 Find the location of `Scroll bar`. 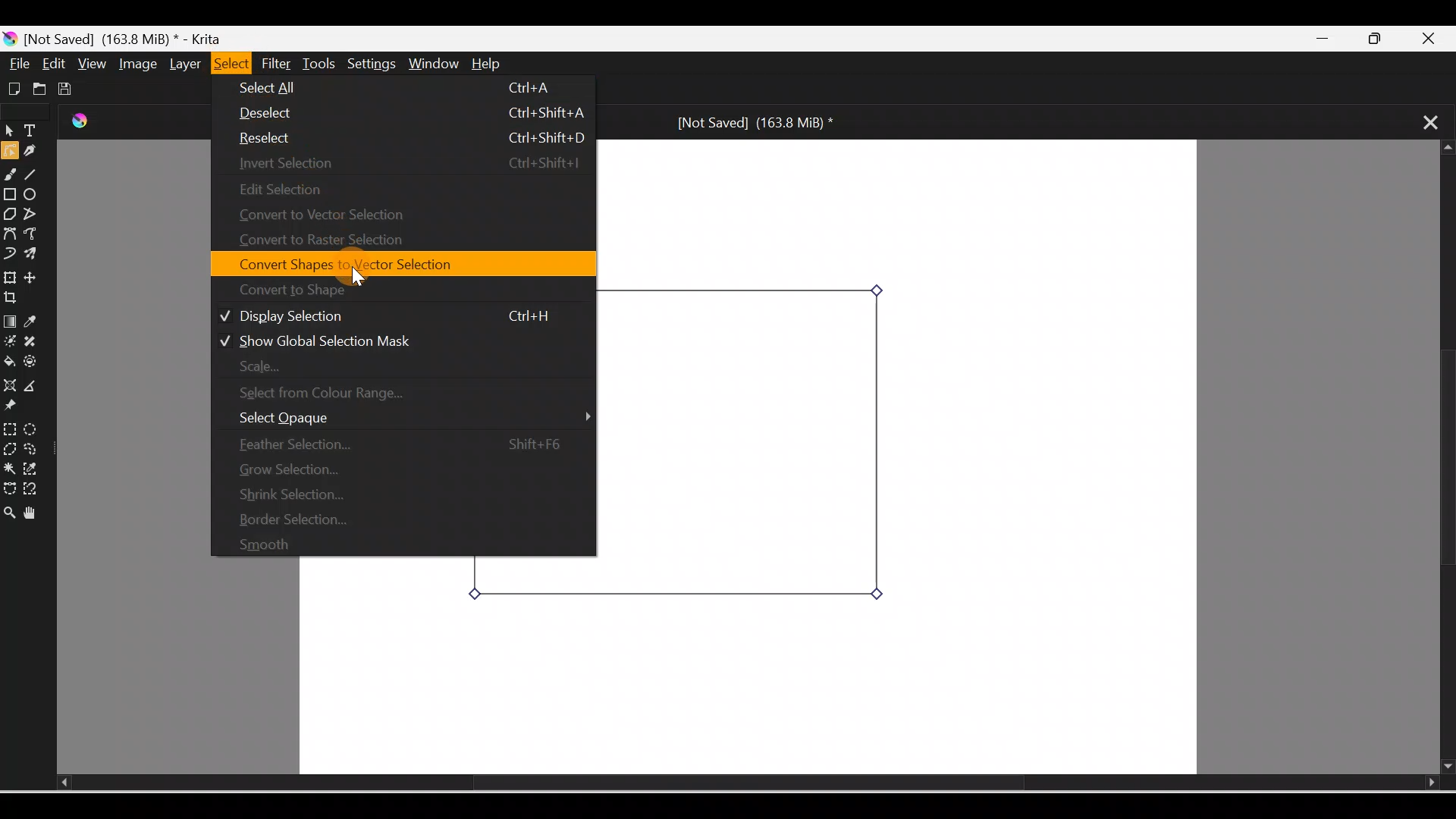

Scroll bar is located at coordinates (725, 783).